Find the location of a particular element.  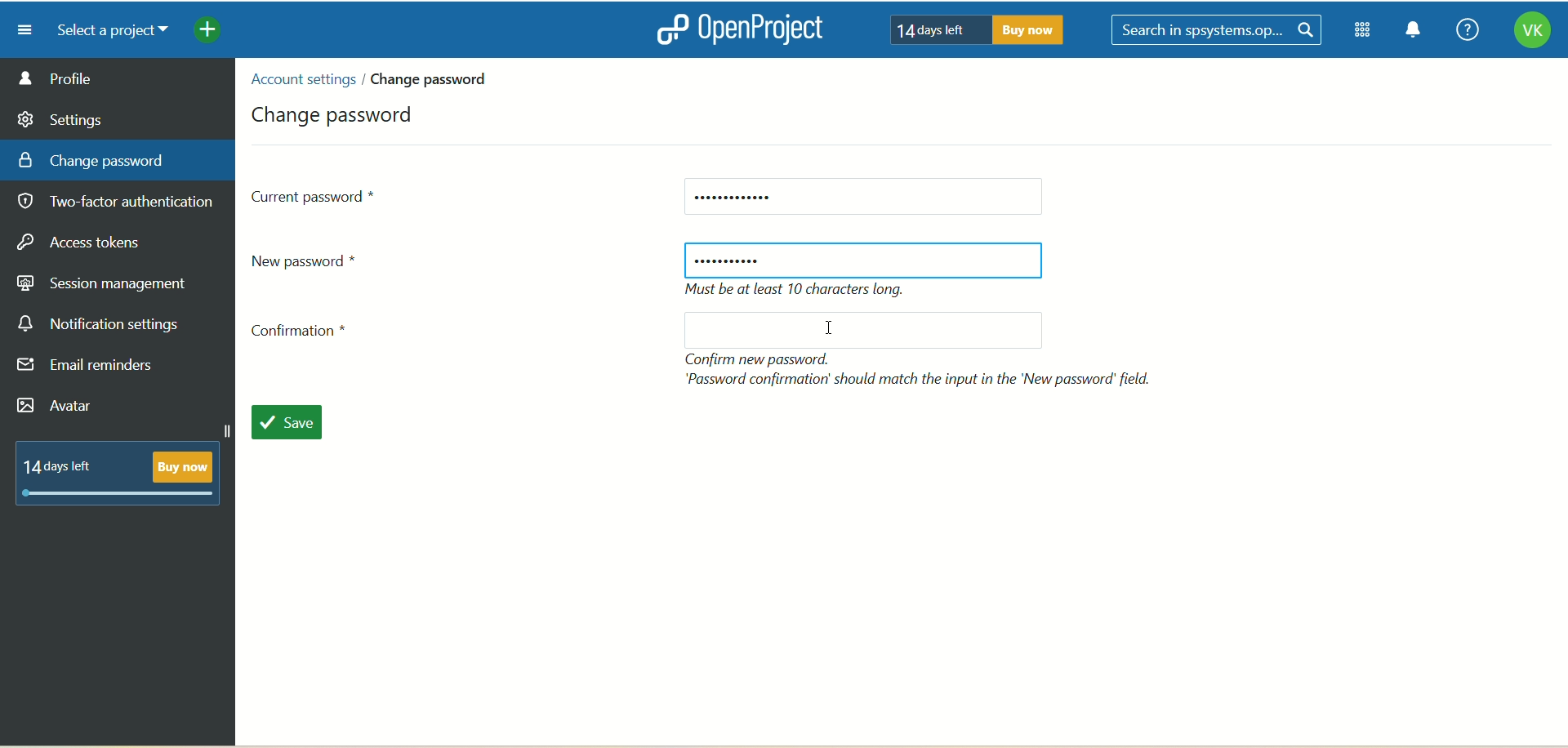

help is located at coordinates (1463, 31).